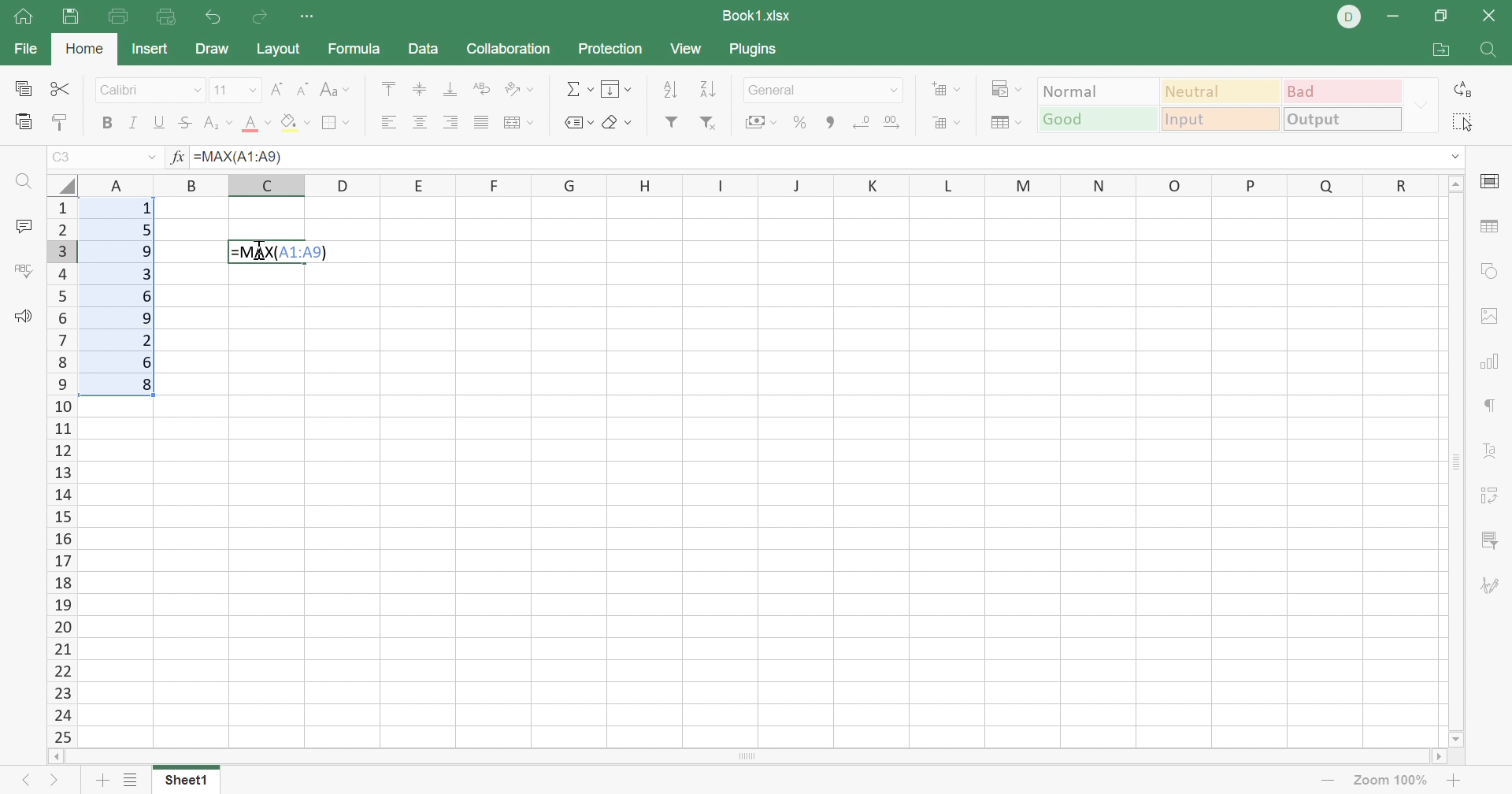 This screenshot has width=1512, height=794. Describe the element at coordinates (1391, 781) in the screenshot. I see `Zoom 100%` at that location.